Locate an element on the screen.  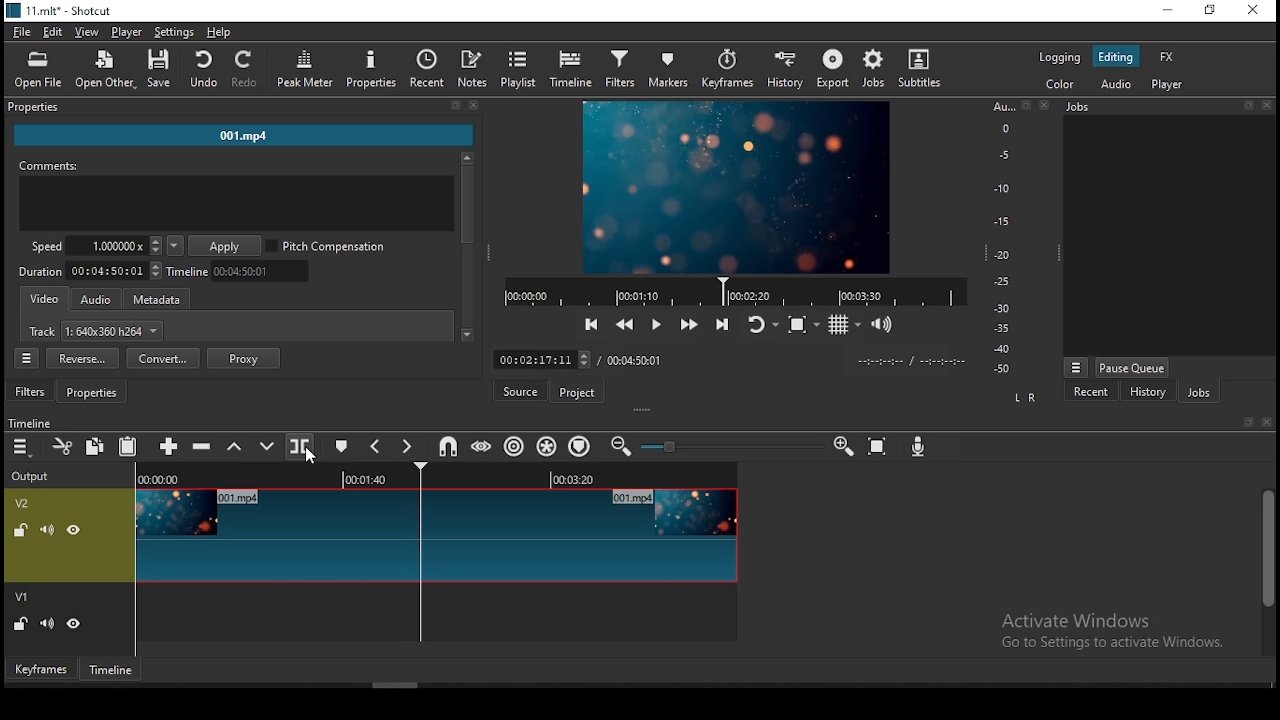
split at playhead is located at coordinates (302, 446).